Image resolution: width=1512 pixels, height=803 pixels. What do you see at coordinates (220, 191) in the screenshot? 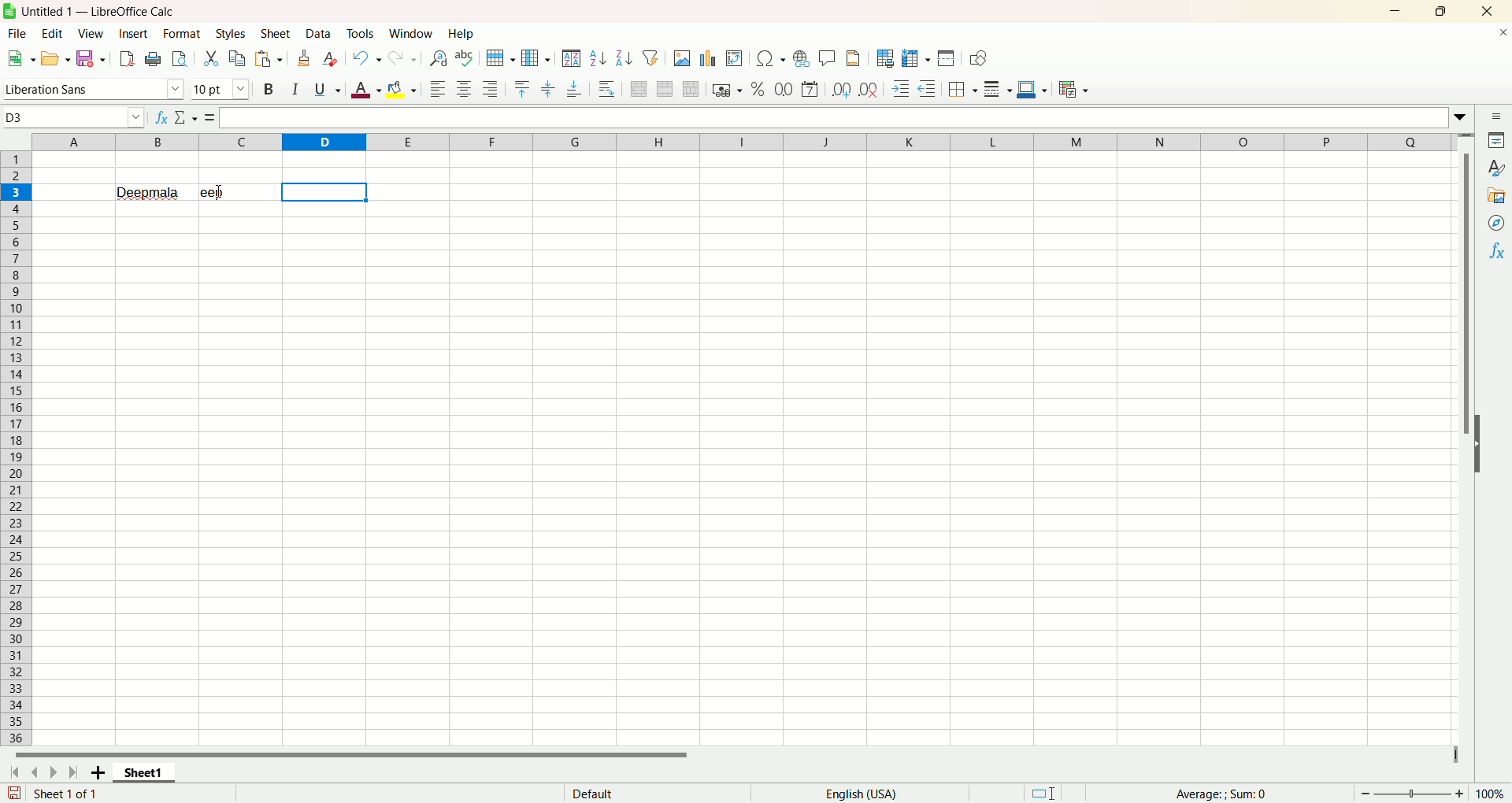
I see `Cursor` at bounding box center [220, 191].